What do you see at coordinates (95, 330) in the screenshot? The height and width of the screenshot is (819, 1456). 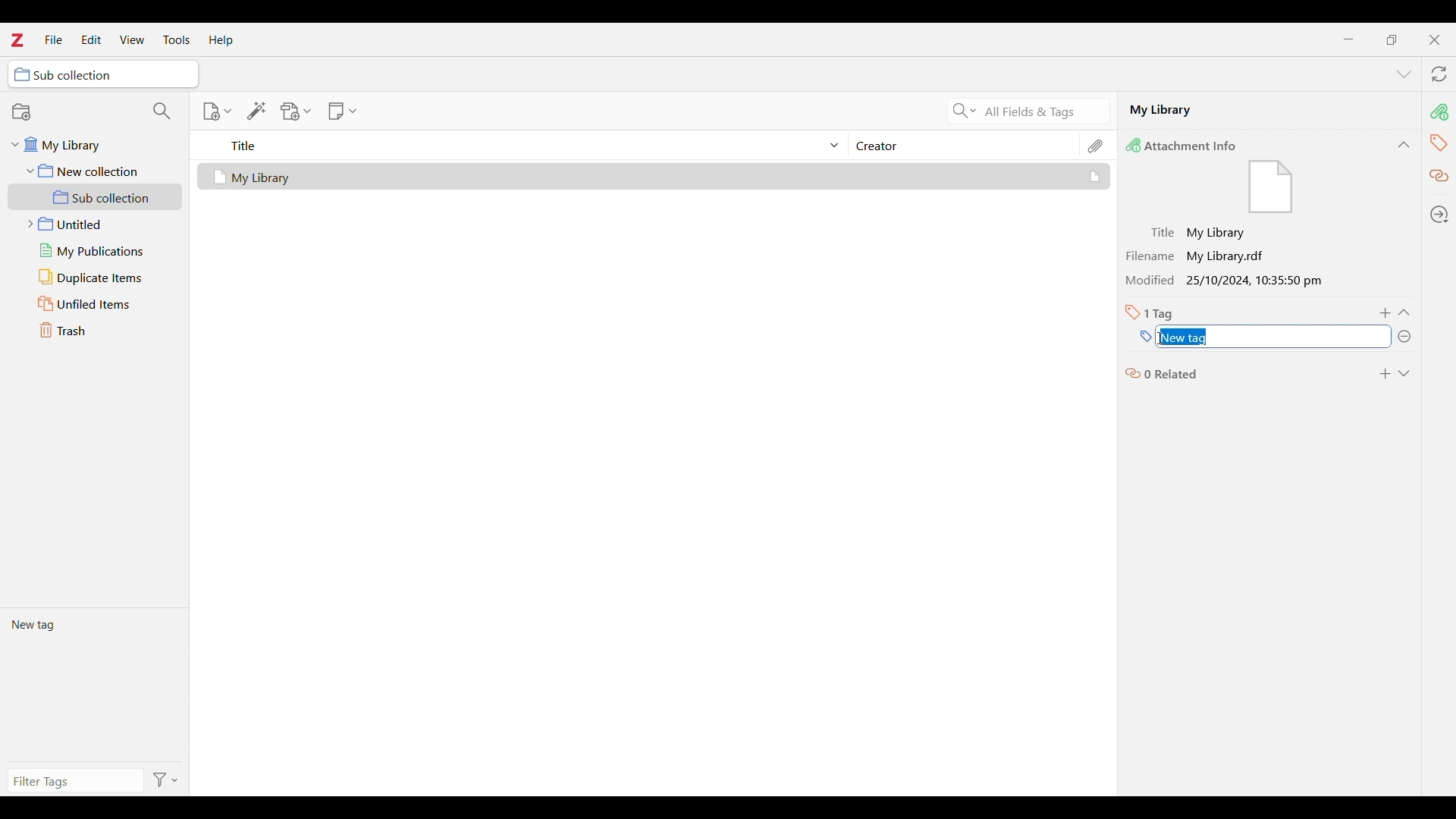 I see `Trash folder` at bounding box center [95, 330].